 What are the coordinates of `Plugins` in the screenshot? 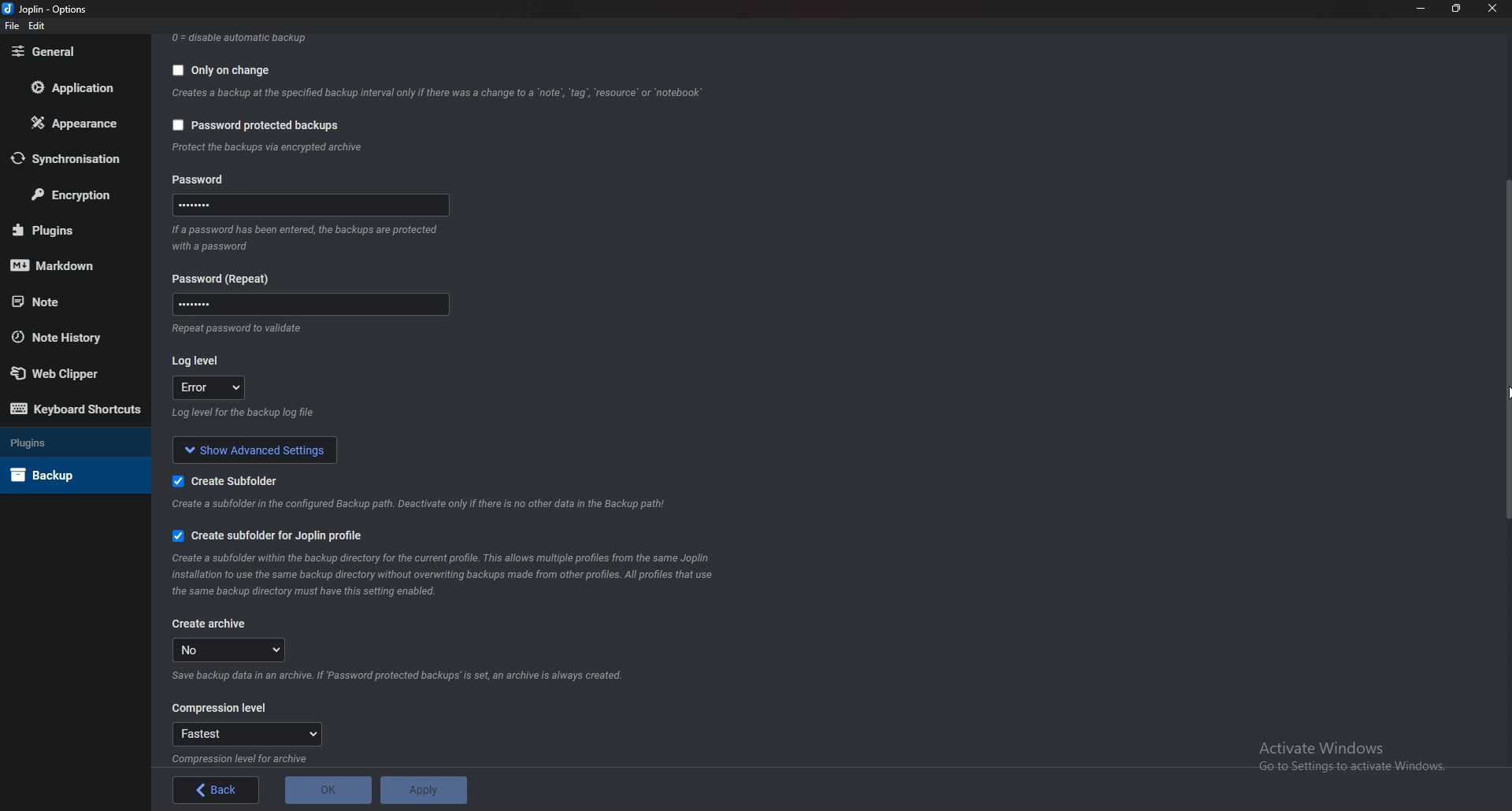 It's located at (61, 442).